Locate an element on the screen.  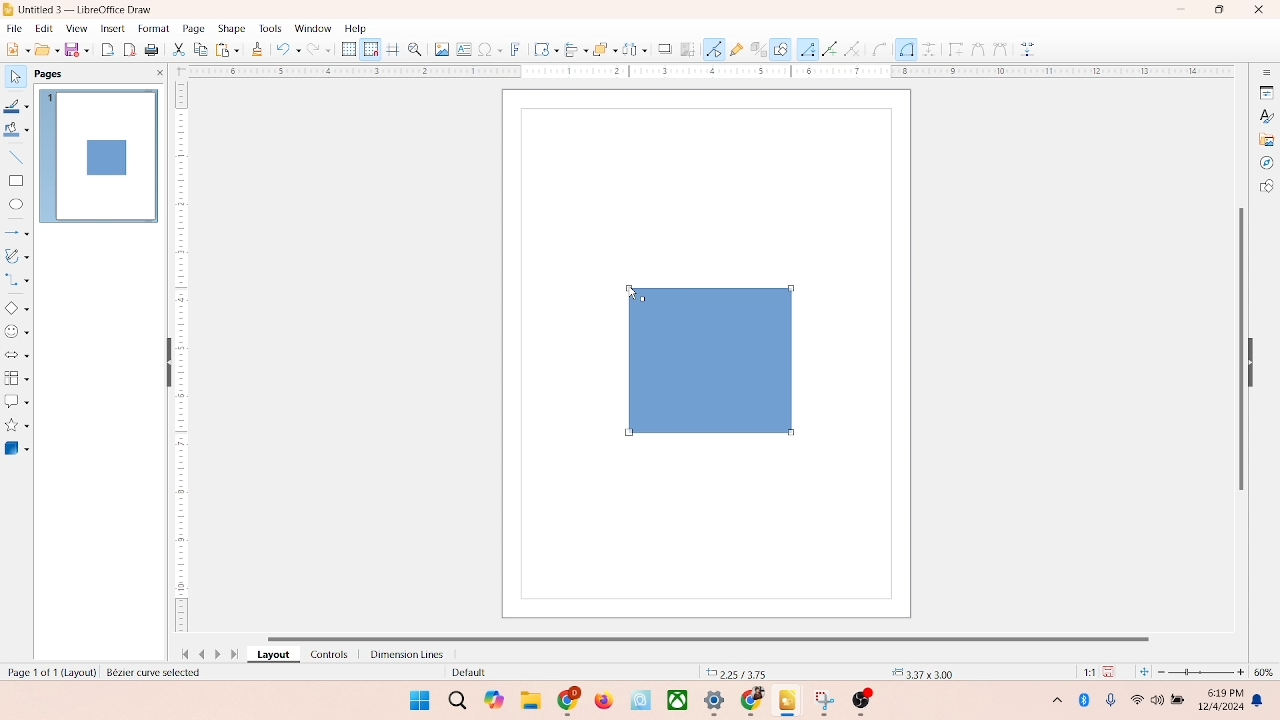
Bluetooth is located at coordinates (1088, 700).